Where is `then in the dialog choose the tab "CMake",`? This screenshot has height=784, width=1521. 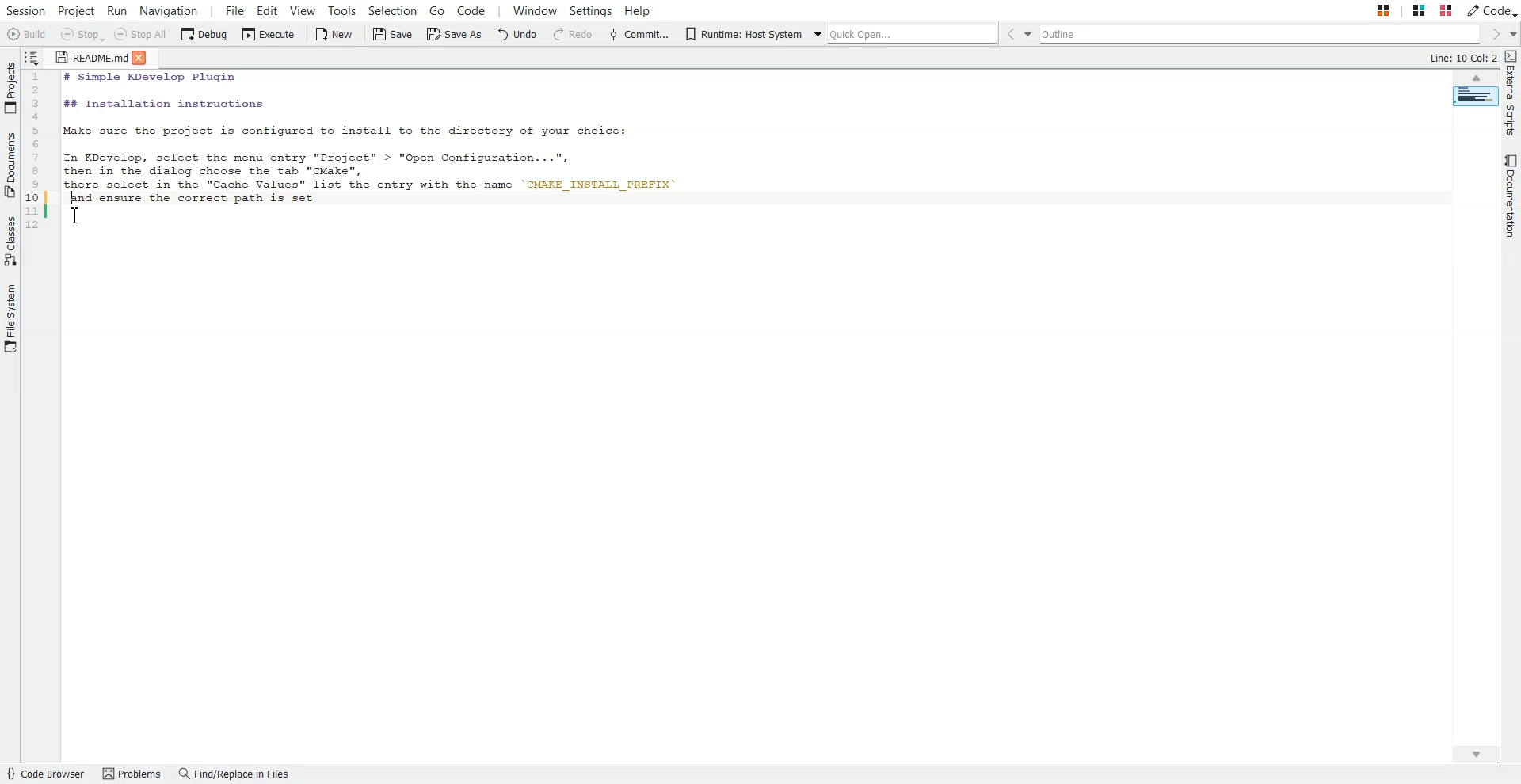
then in the dialog choose the tab "CMake", is located at coordinates (223, 171).